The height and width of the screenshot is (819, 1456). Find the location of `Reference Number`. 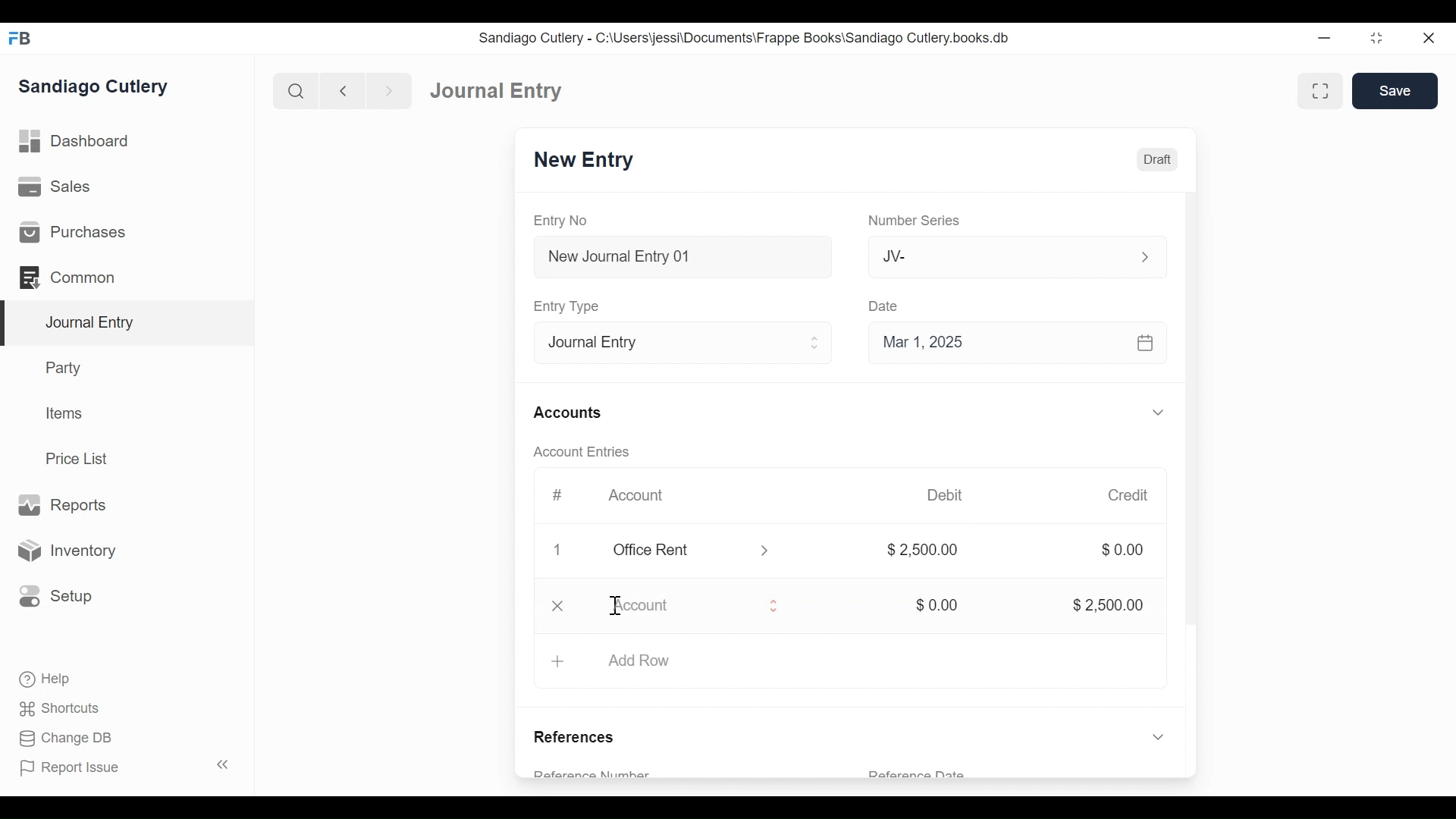

Reference Number is located at coordinates (613, 770).